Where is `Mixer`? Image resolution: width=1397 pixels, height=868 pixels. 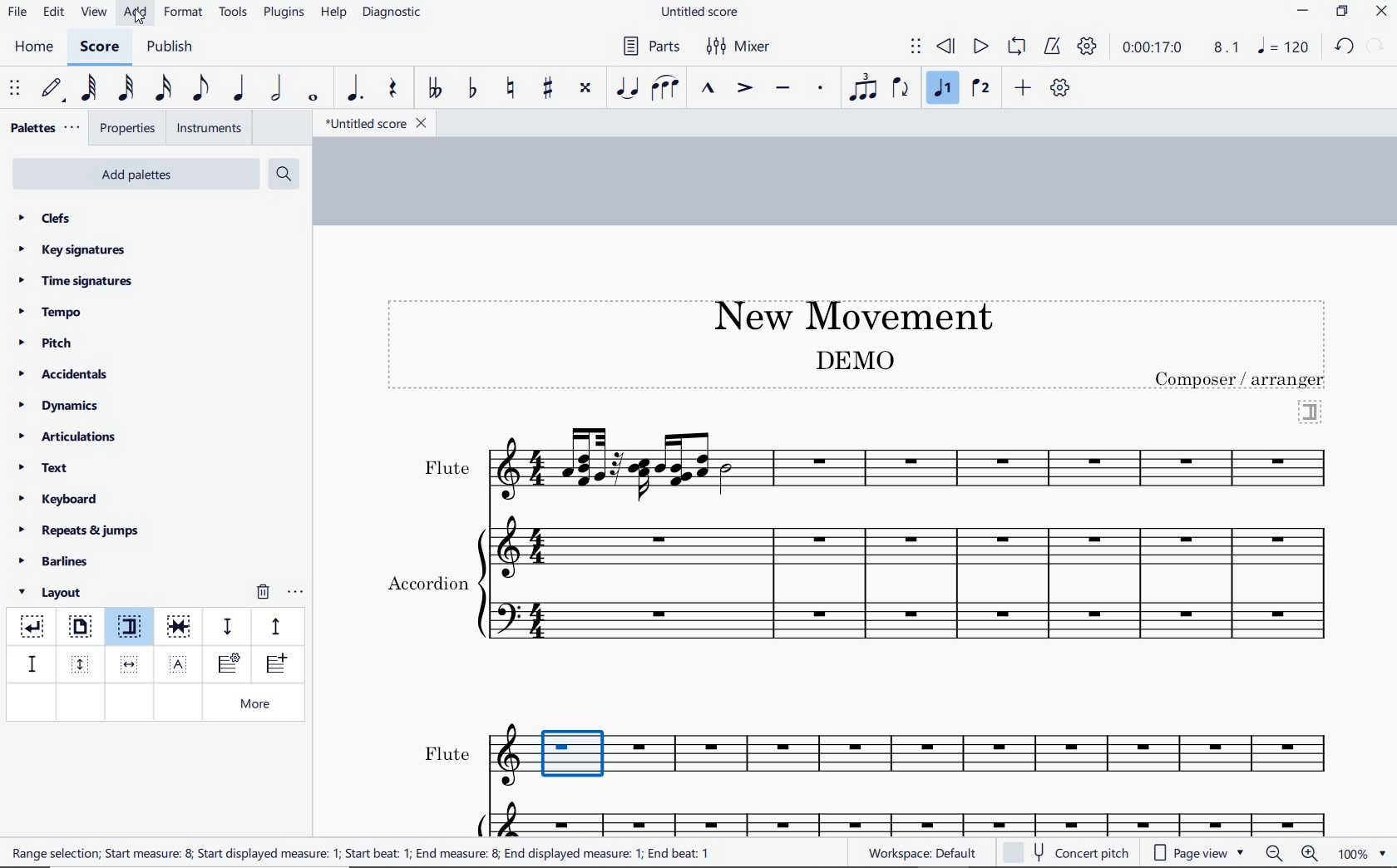
Mixer is located at coordinates (739, 47).